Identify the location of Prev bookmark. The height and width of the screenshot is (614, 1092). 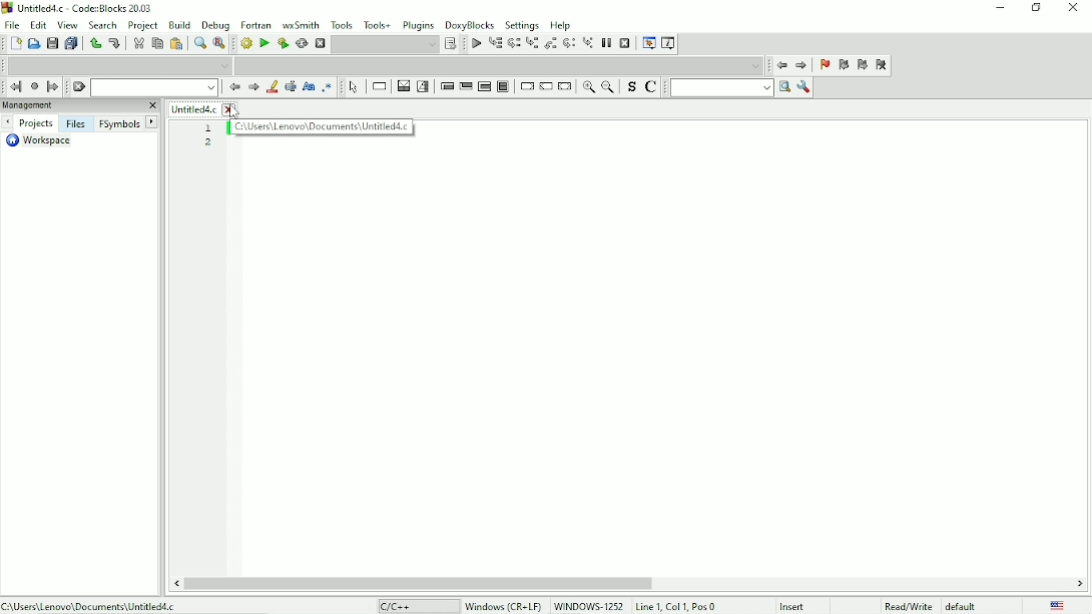
(843, 66).